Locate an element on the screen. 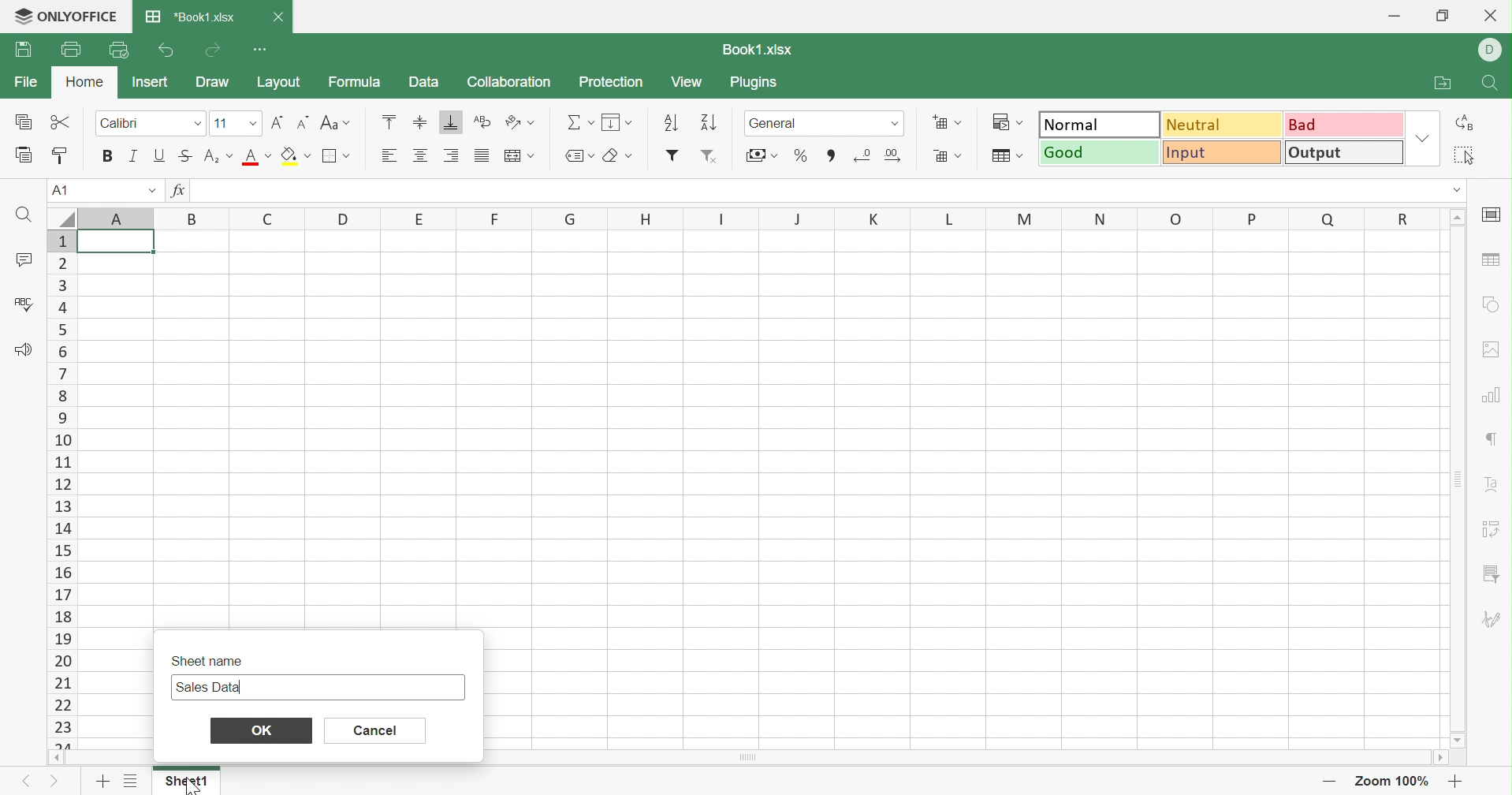 The image size is (1512, 795). Feedback & Support is located at coordinates (24, 349).